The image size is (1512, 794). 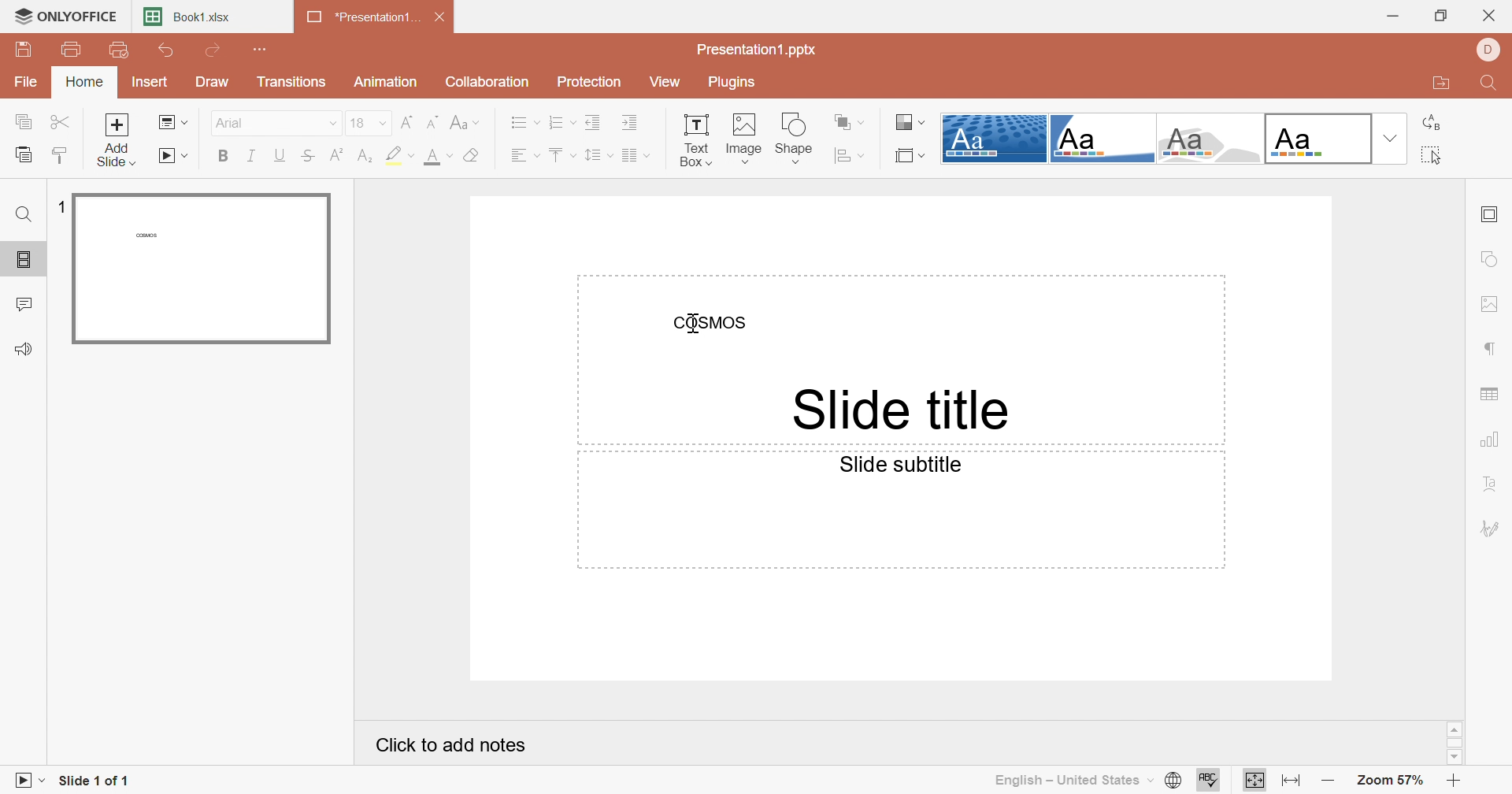 What do you see at coordinates (367, 157) in the screenshot?
I see `Subscript` at bounding box center [367, 157].